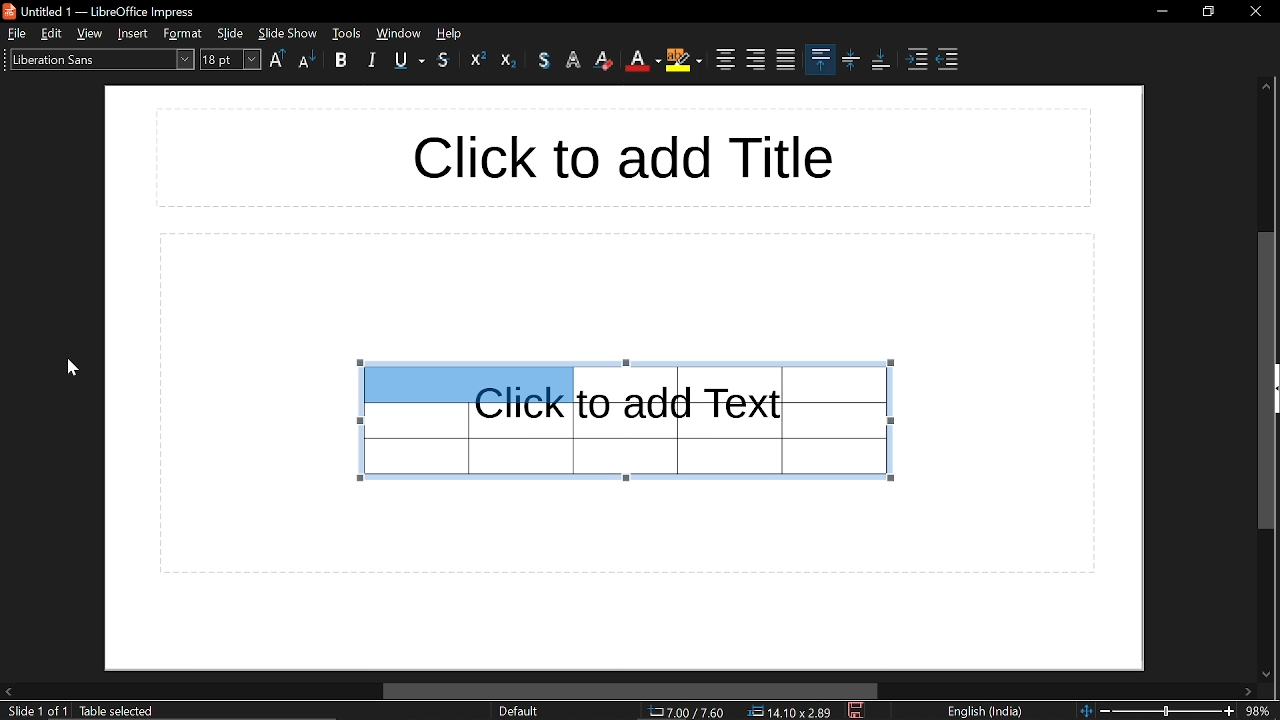  Describe the element at coordinates (345, 62) in the screenshot. I see `bold` at that location.